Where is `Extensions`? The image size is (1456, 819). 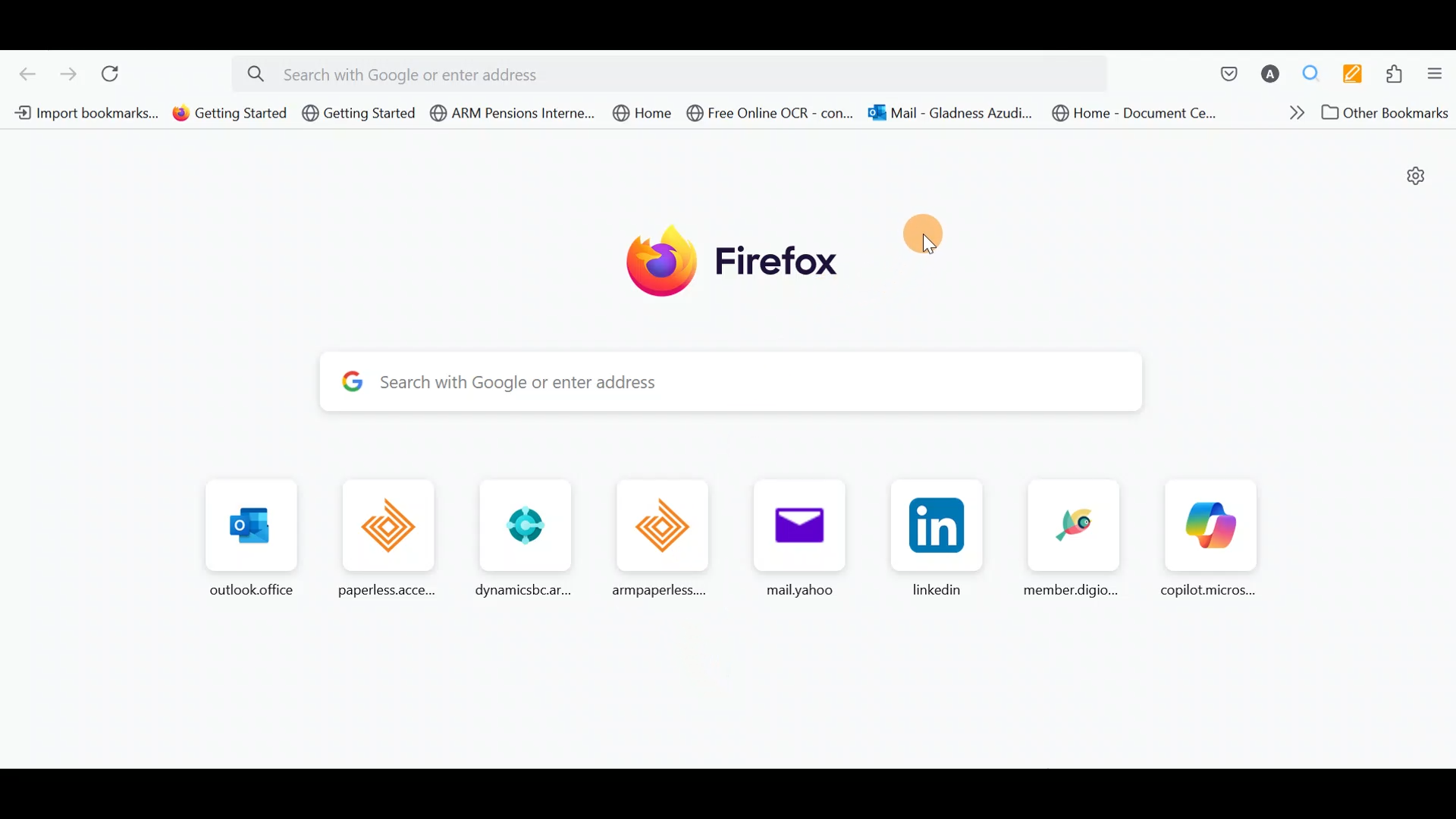
Extensions is located at coordinates (1399, 76).